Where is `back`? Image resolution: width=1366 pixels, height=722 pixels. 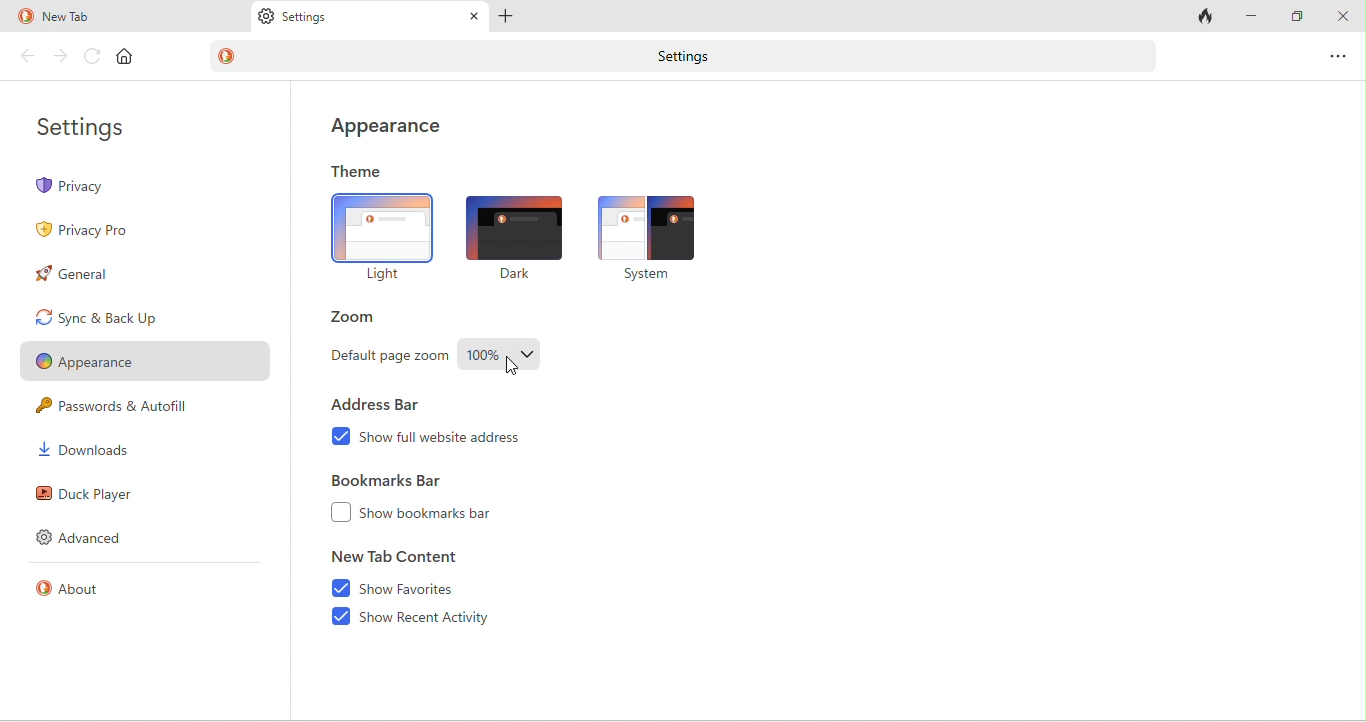
back is located at coordinates (29, 57).